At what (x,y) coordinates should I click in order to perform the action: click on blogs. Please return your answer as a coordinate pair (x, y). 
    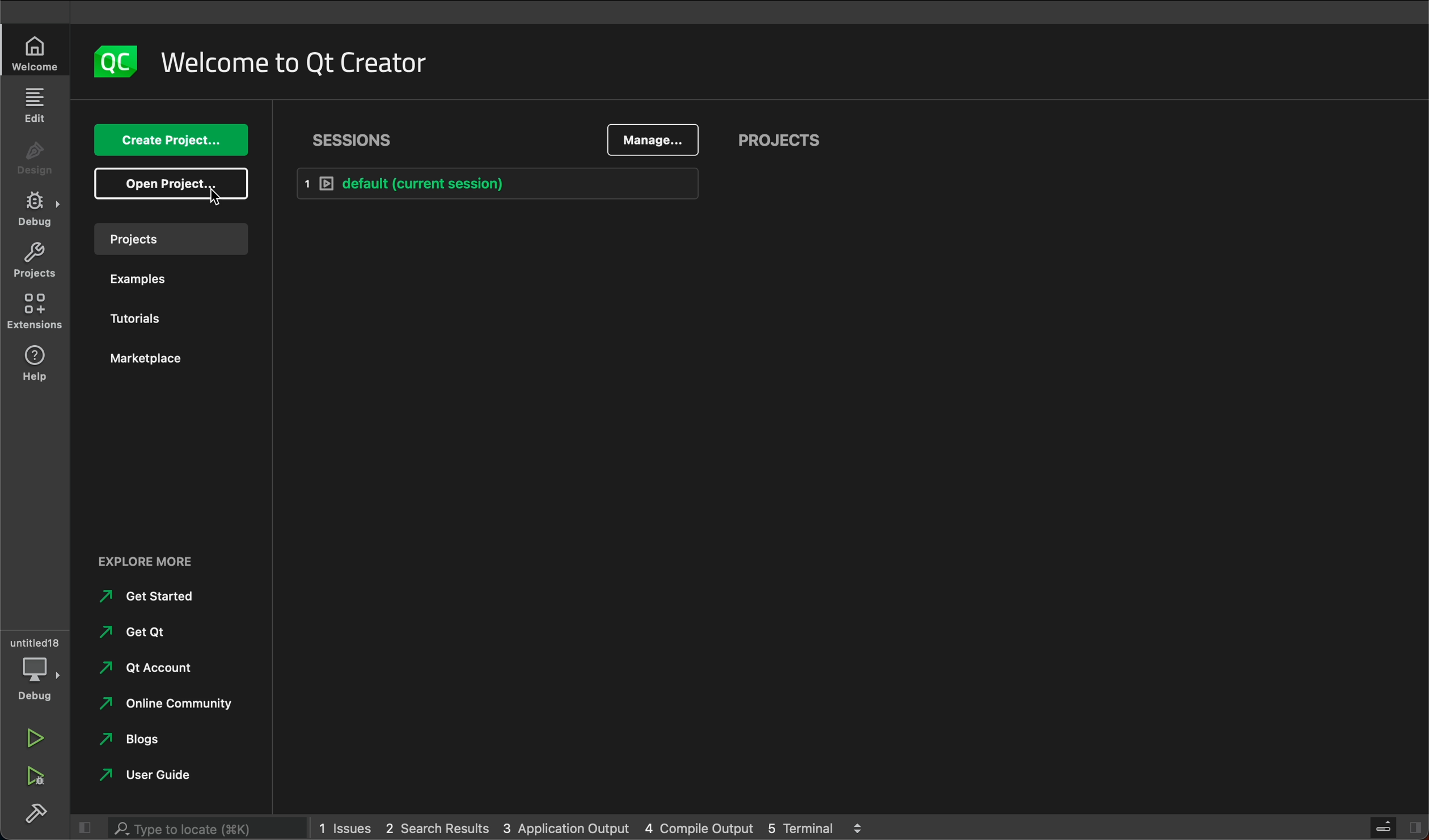
    Looking at the image, I should click on (141, 738).